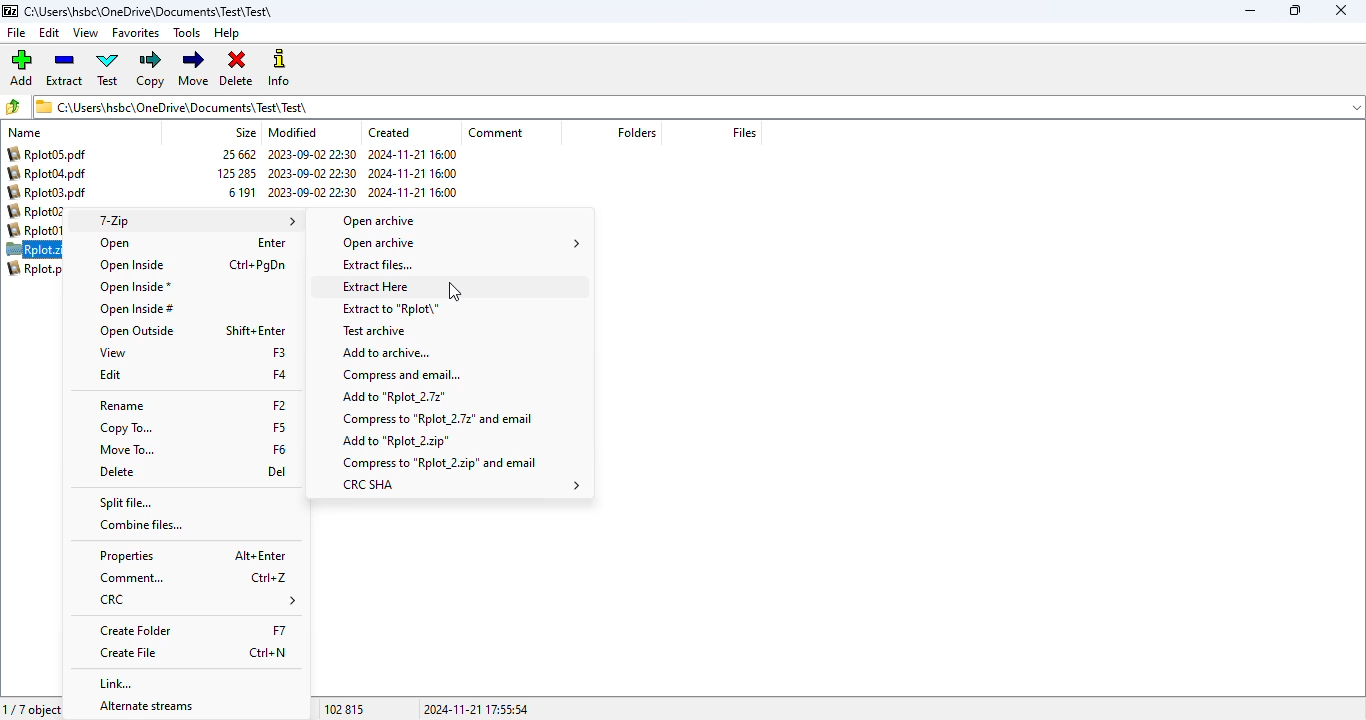  Describe the element at coordinates (50, 192) in the screenshot. I see `Rplot03.pdf` at that location.